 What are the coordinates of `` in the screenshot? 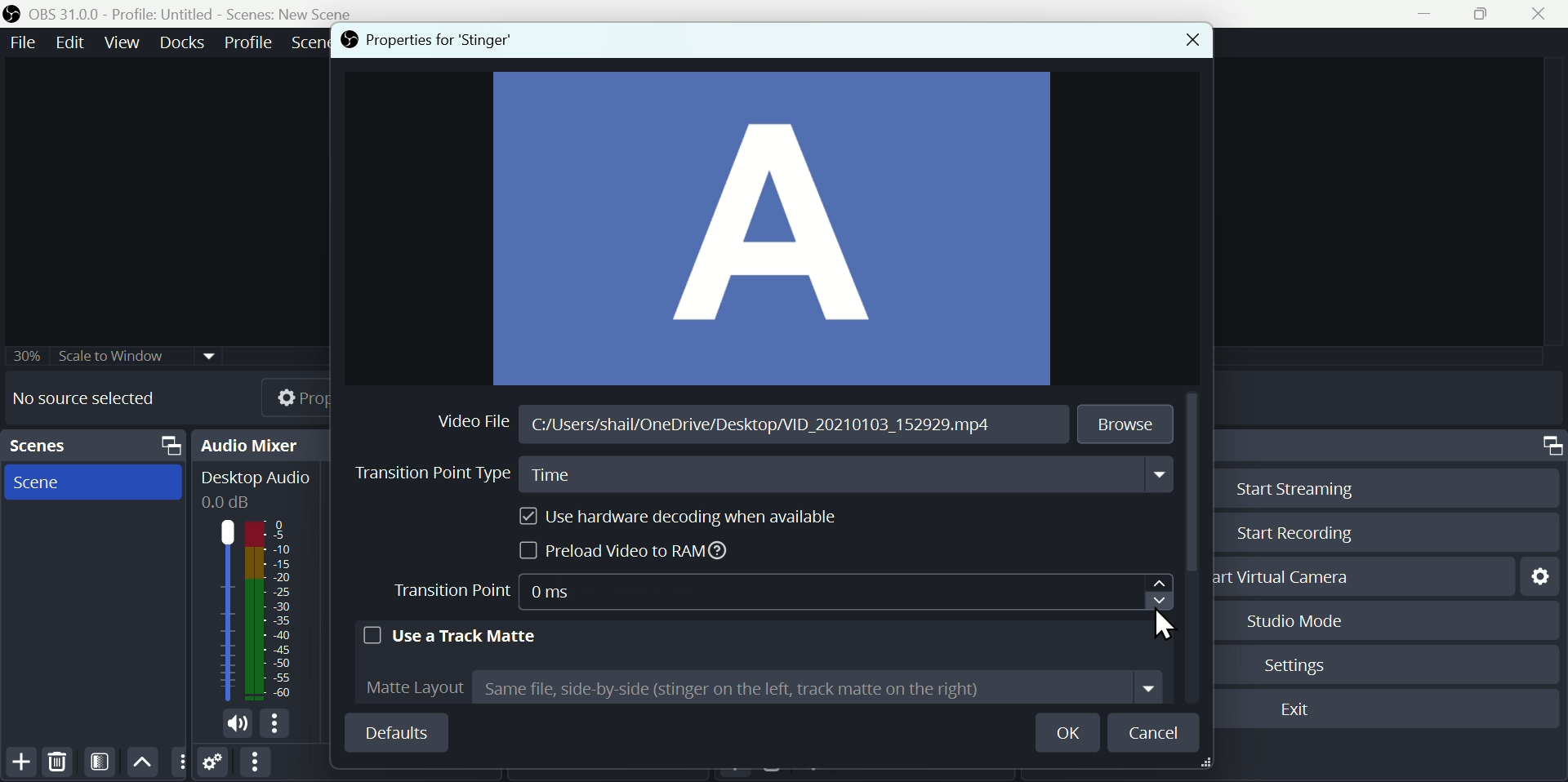 It's located at (250, 40).